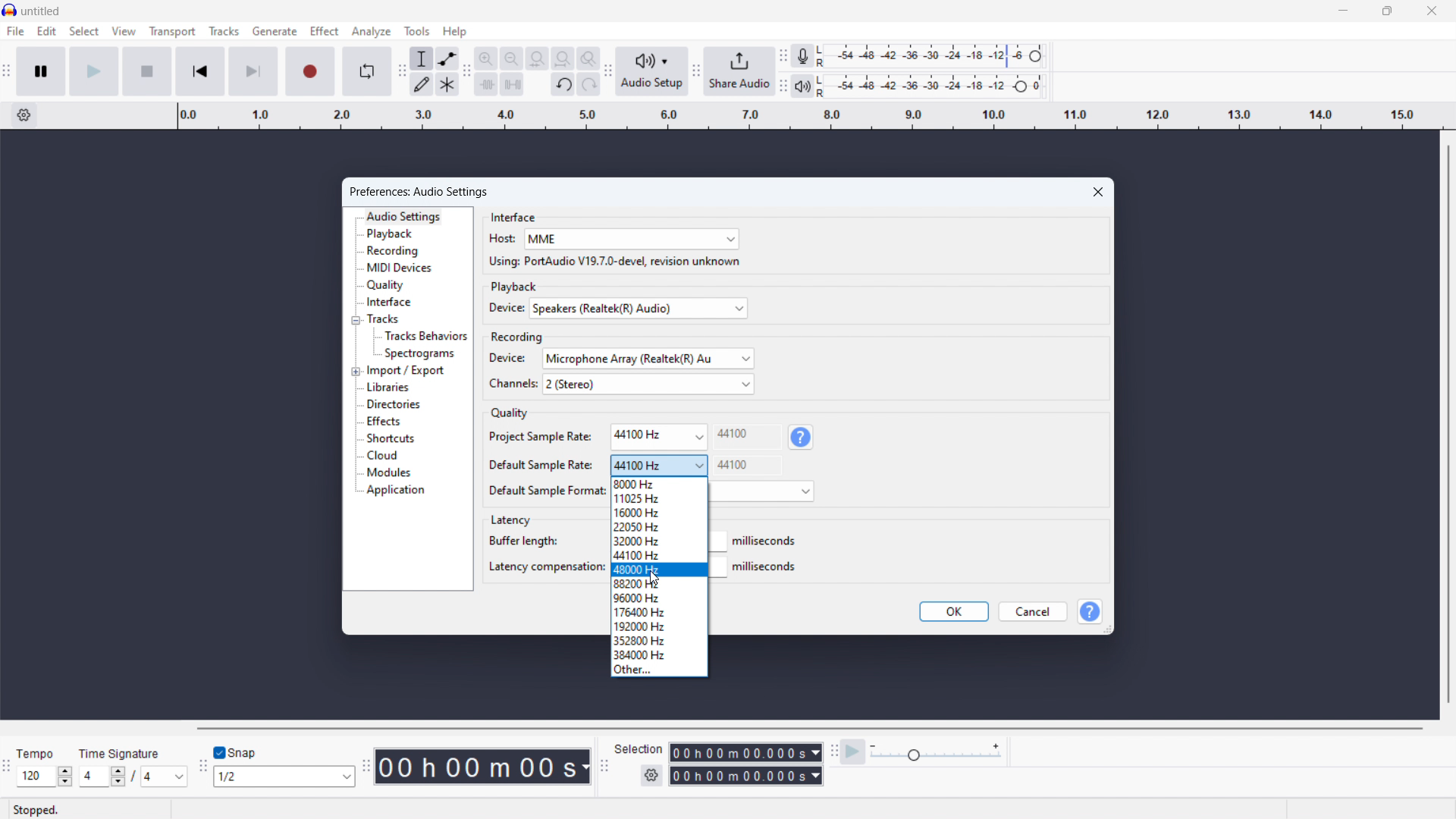  I want to click on spectograms, so click(421, 354).